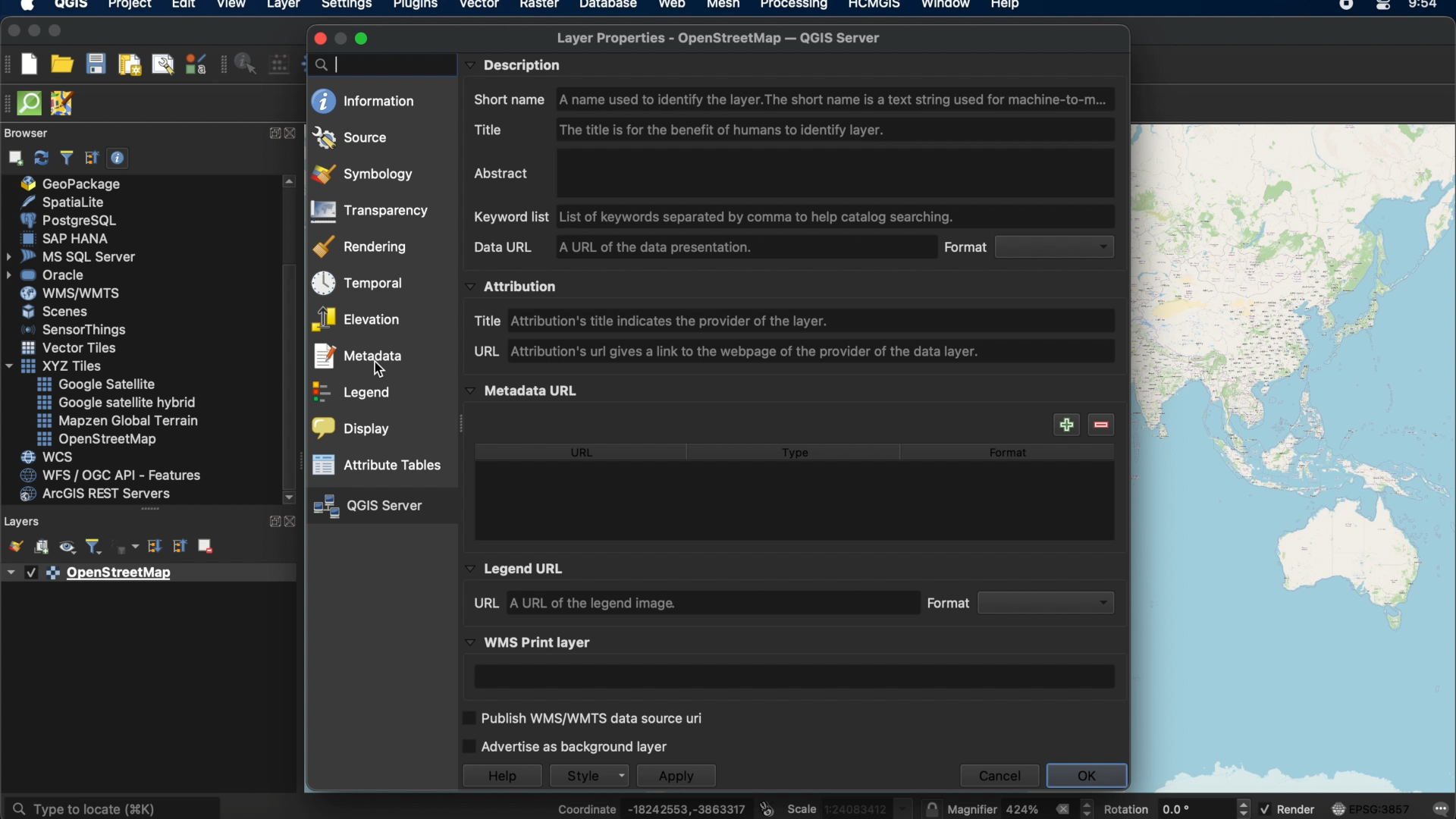 The image size is (1456, 819). Describe the element at coordinates (1009, 453) in the screenshot. I see `format` at that location.